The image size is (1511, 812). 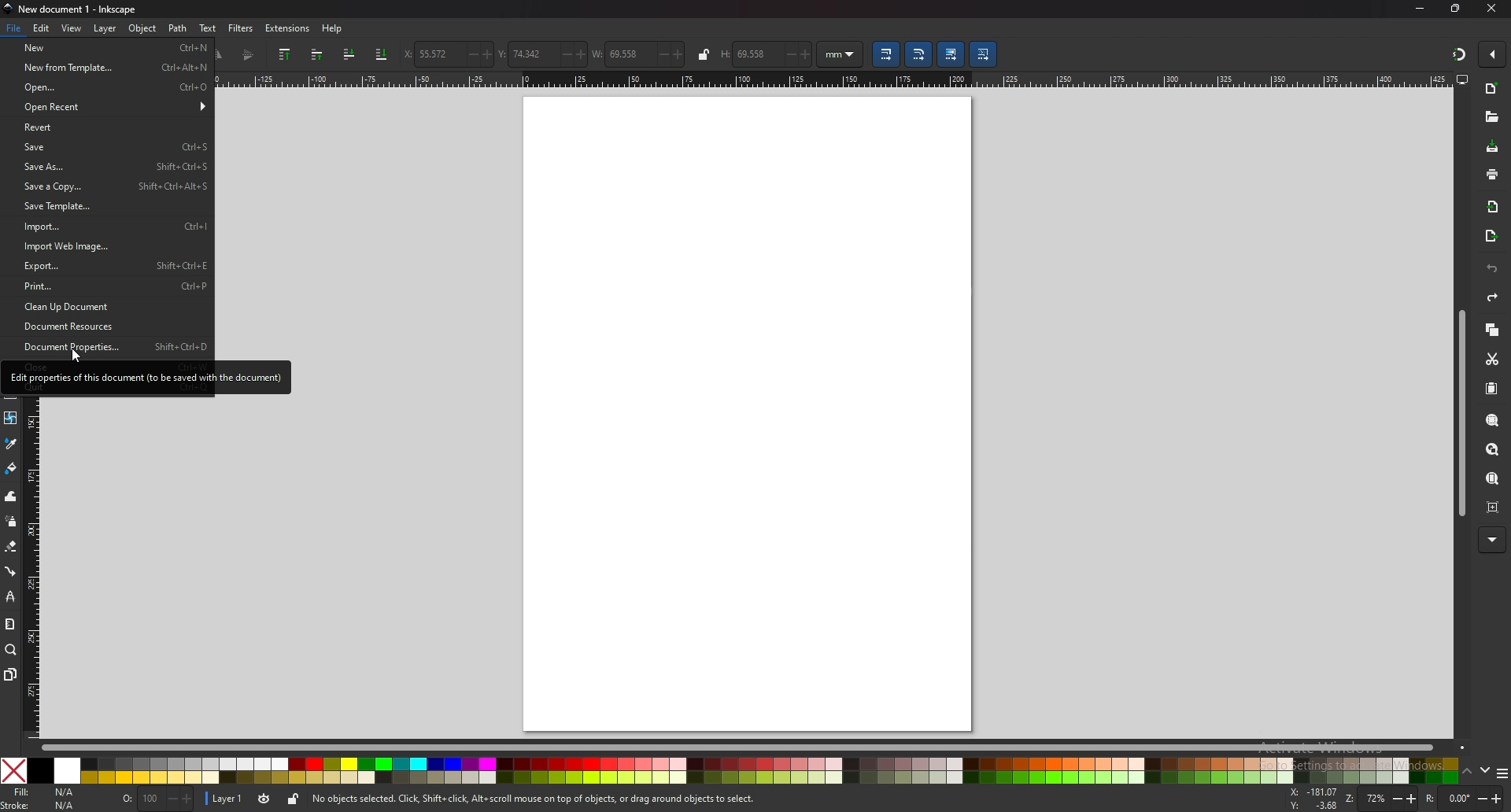 What do you see at coordinates (830, 54) in the screenshot?
I see `mm` at bounding box center [830, 54].